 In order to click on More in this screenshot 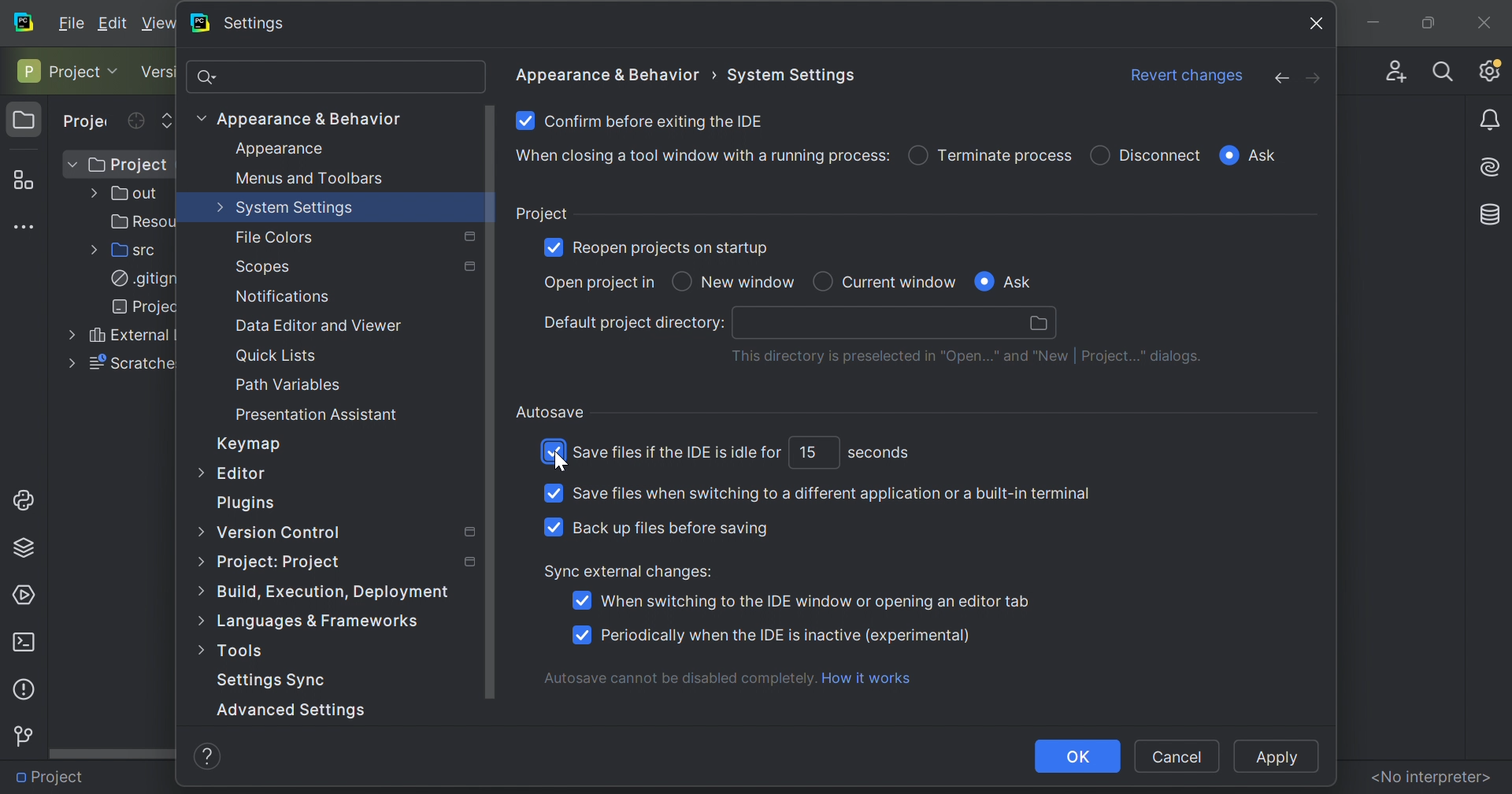, I will do `click(198, 591)`.